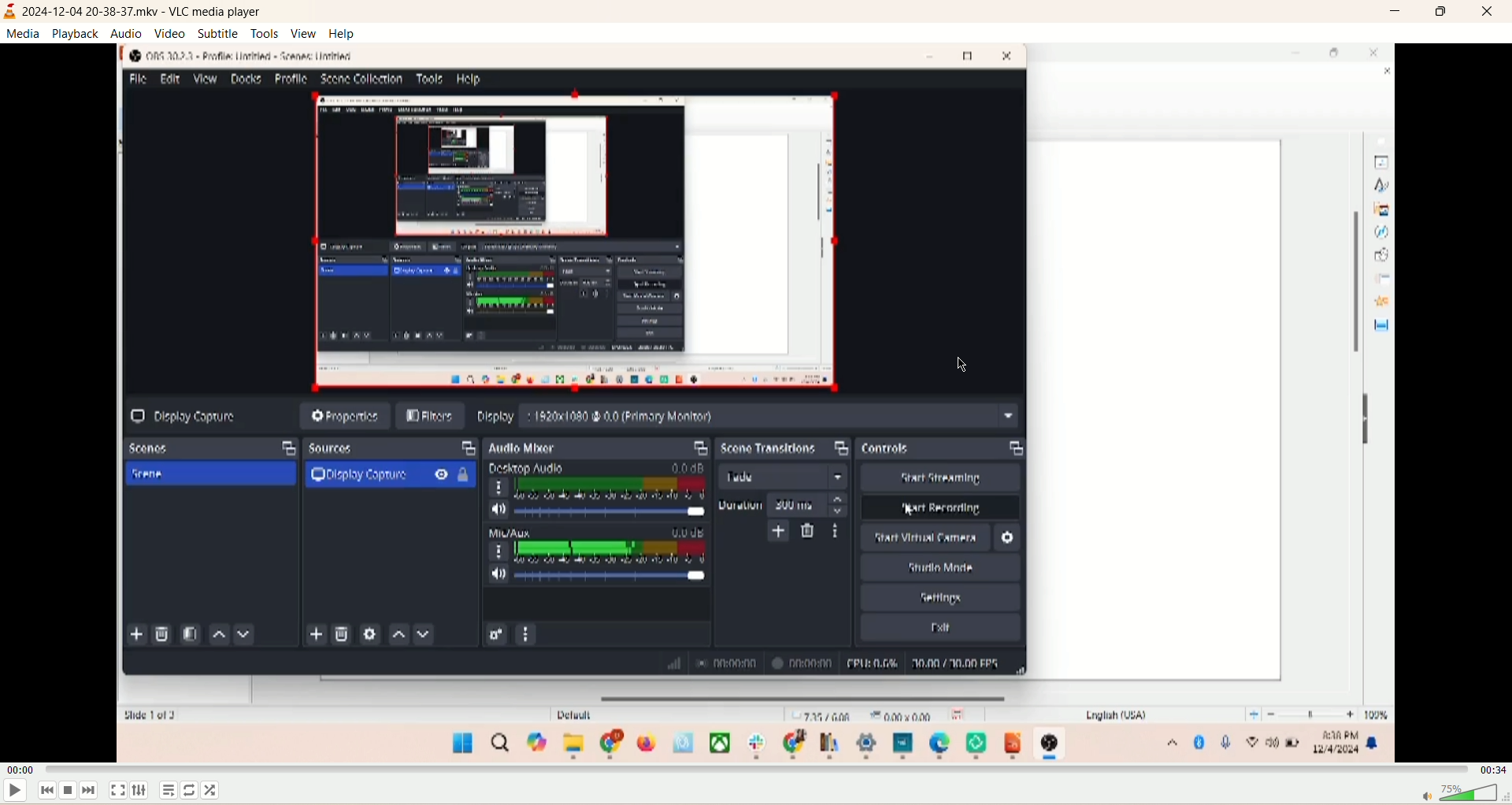  I want to click on help, so click(343, 34).